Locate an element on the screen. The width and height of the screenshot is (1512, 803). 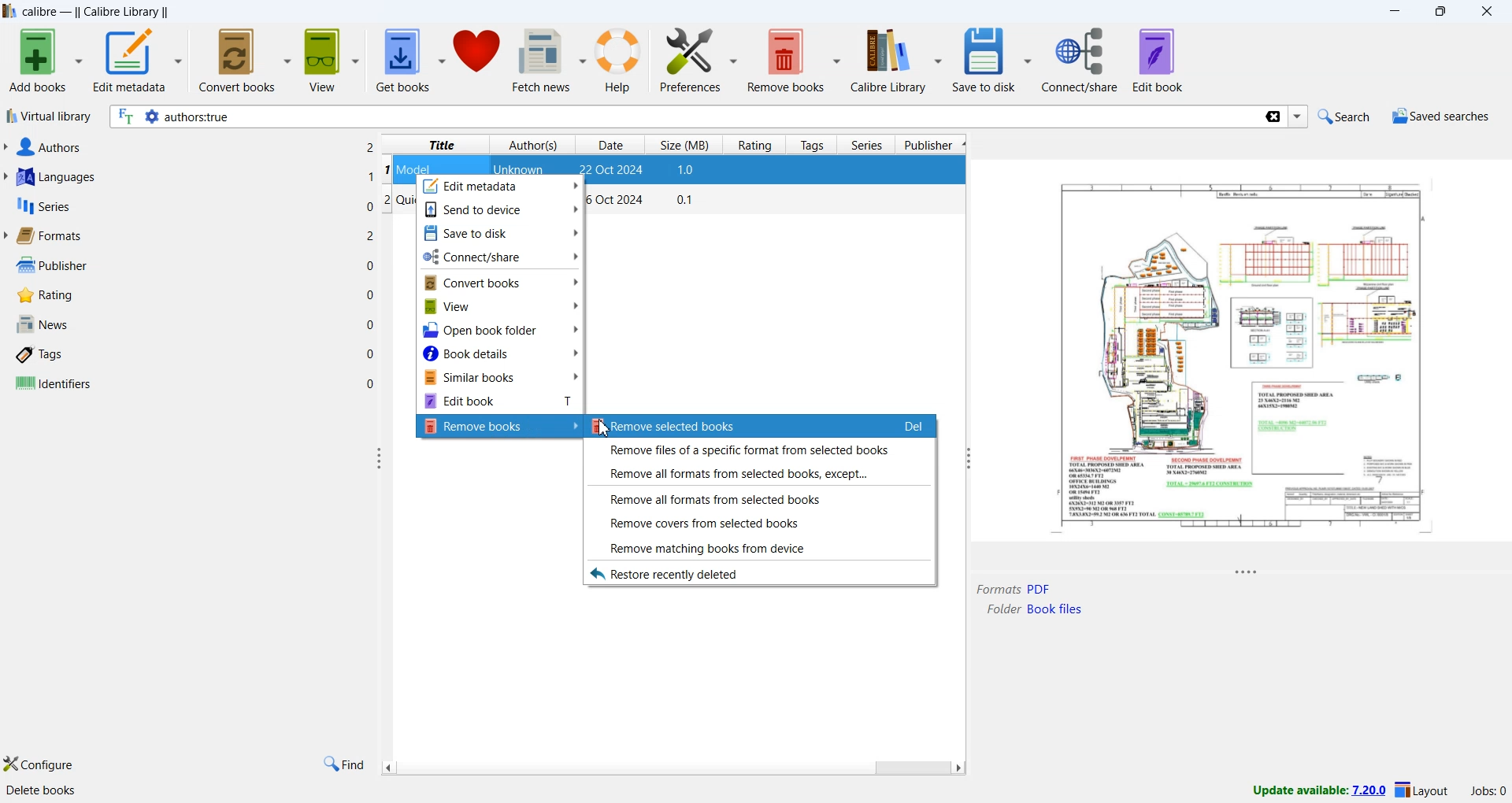
Book details is located at coordinates (502, 353).